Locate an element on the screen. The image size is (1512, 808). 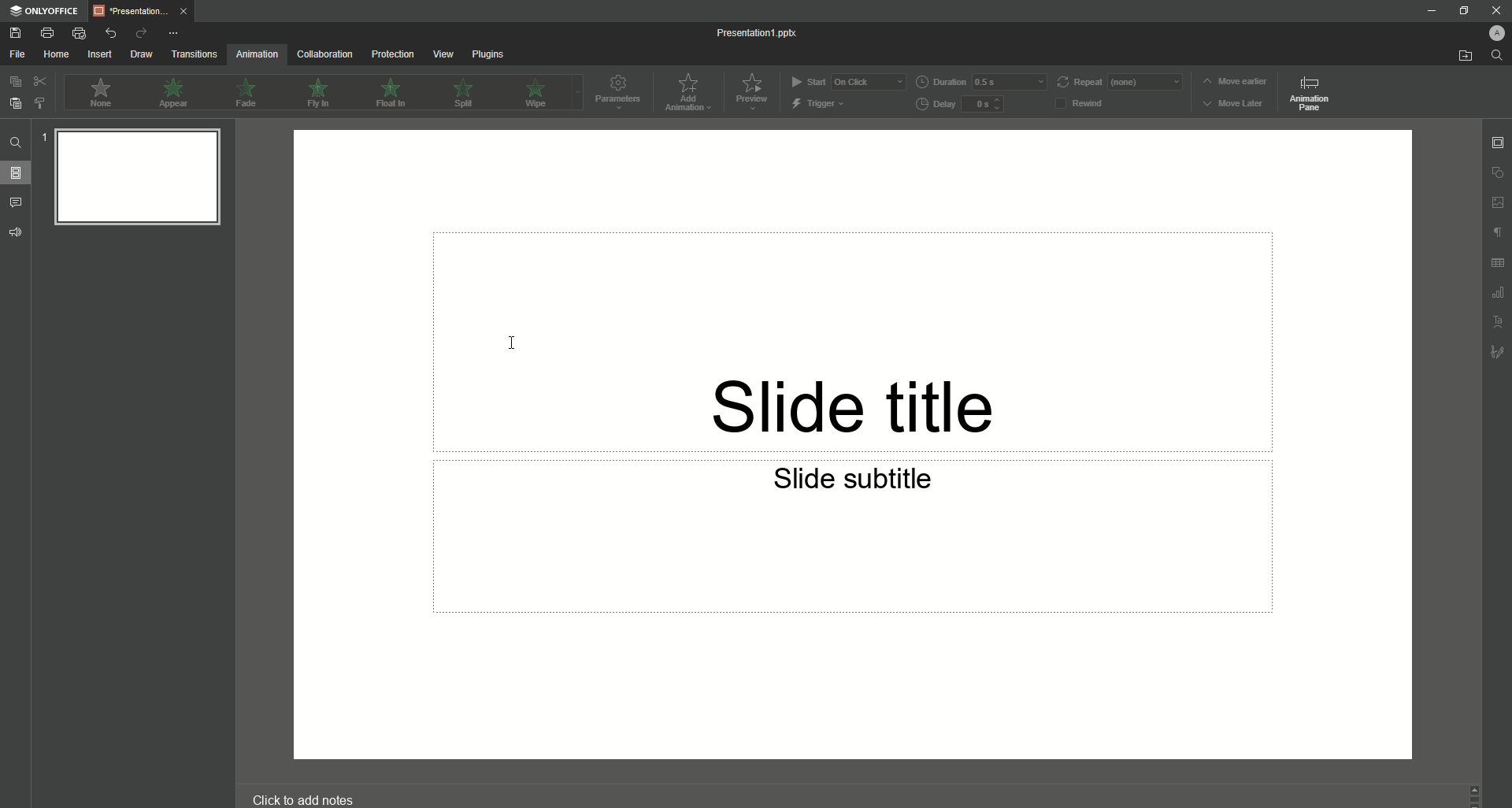
Cursor is located at coordinates (507, 336).